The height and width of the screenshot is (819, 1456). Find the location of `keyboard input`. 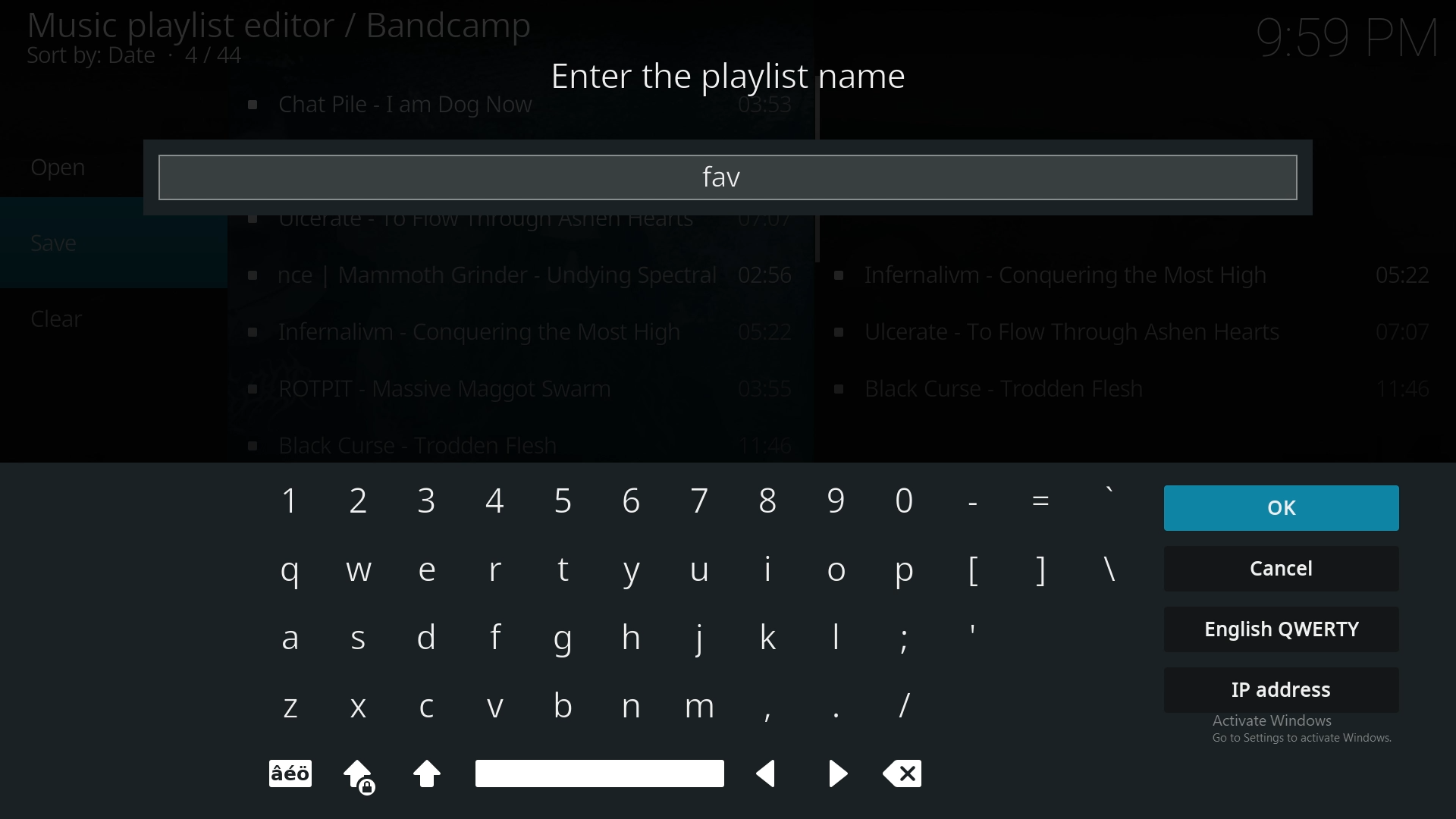

keyboard input is located at coordinates (359, 498).